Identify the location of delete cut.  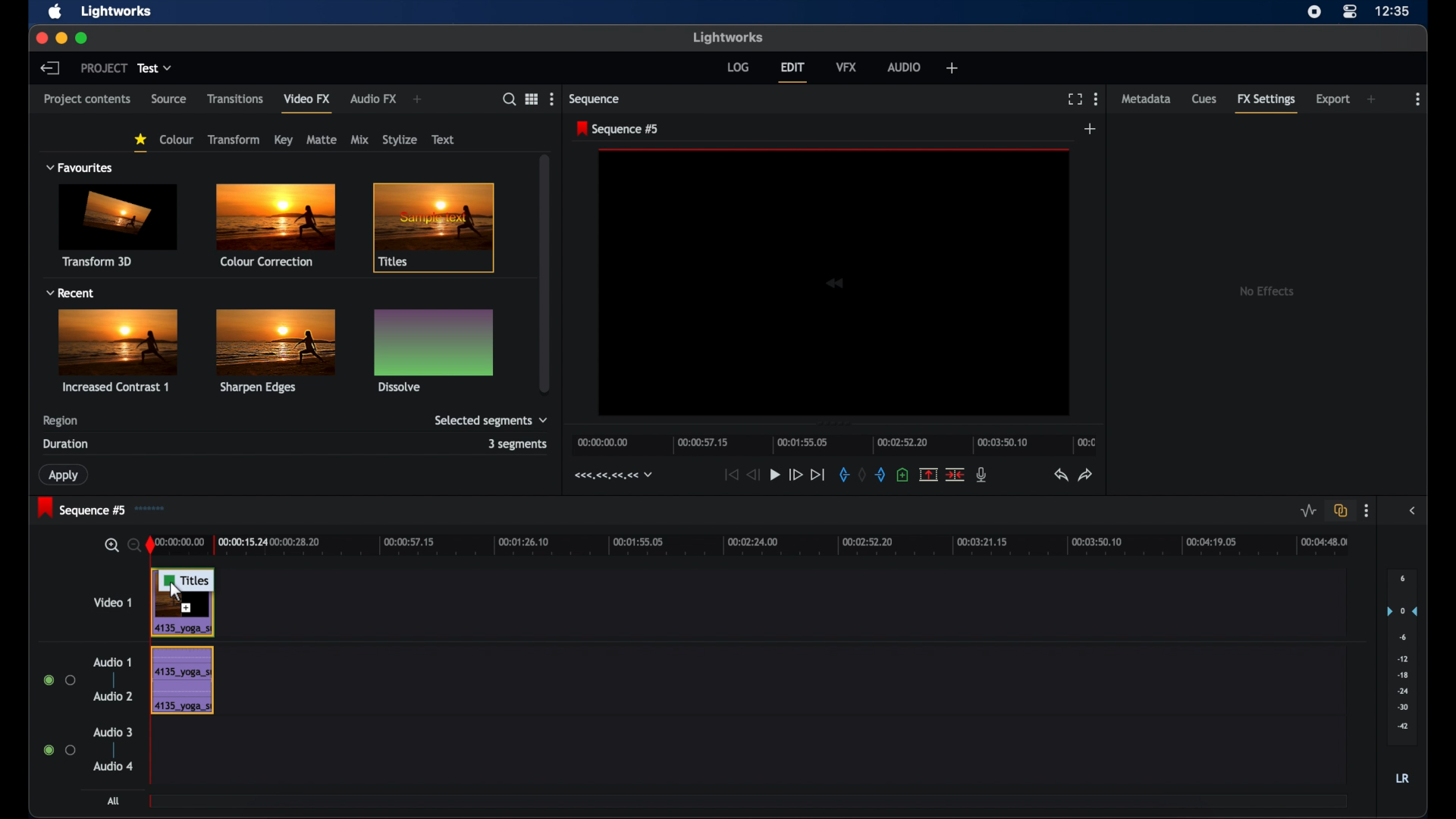
(956, 474).